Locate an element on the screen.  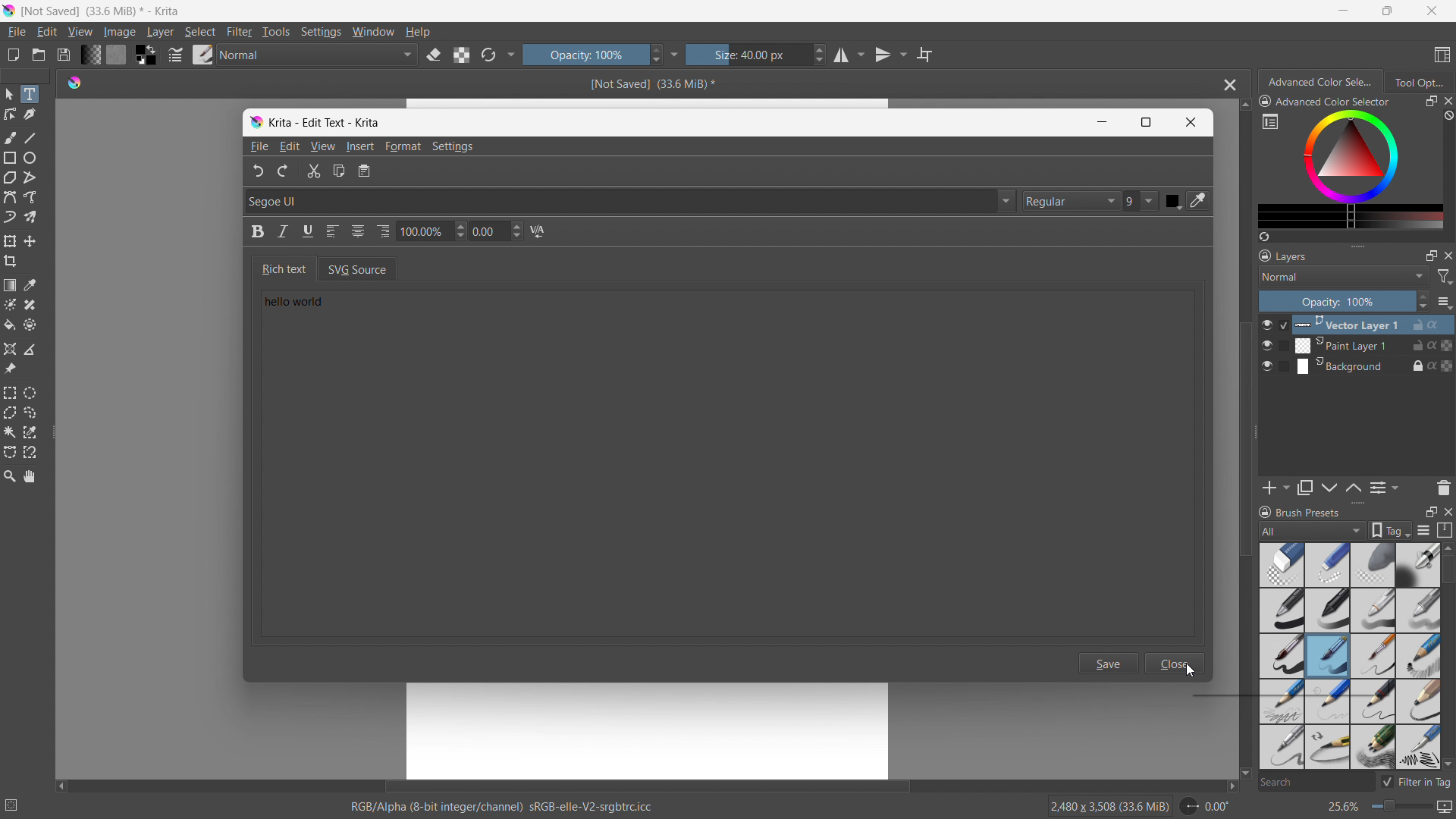
choose workspace is located at coordinates (1442, 55).